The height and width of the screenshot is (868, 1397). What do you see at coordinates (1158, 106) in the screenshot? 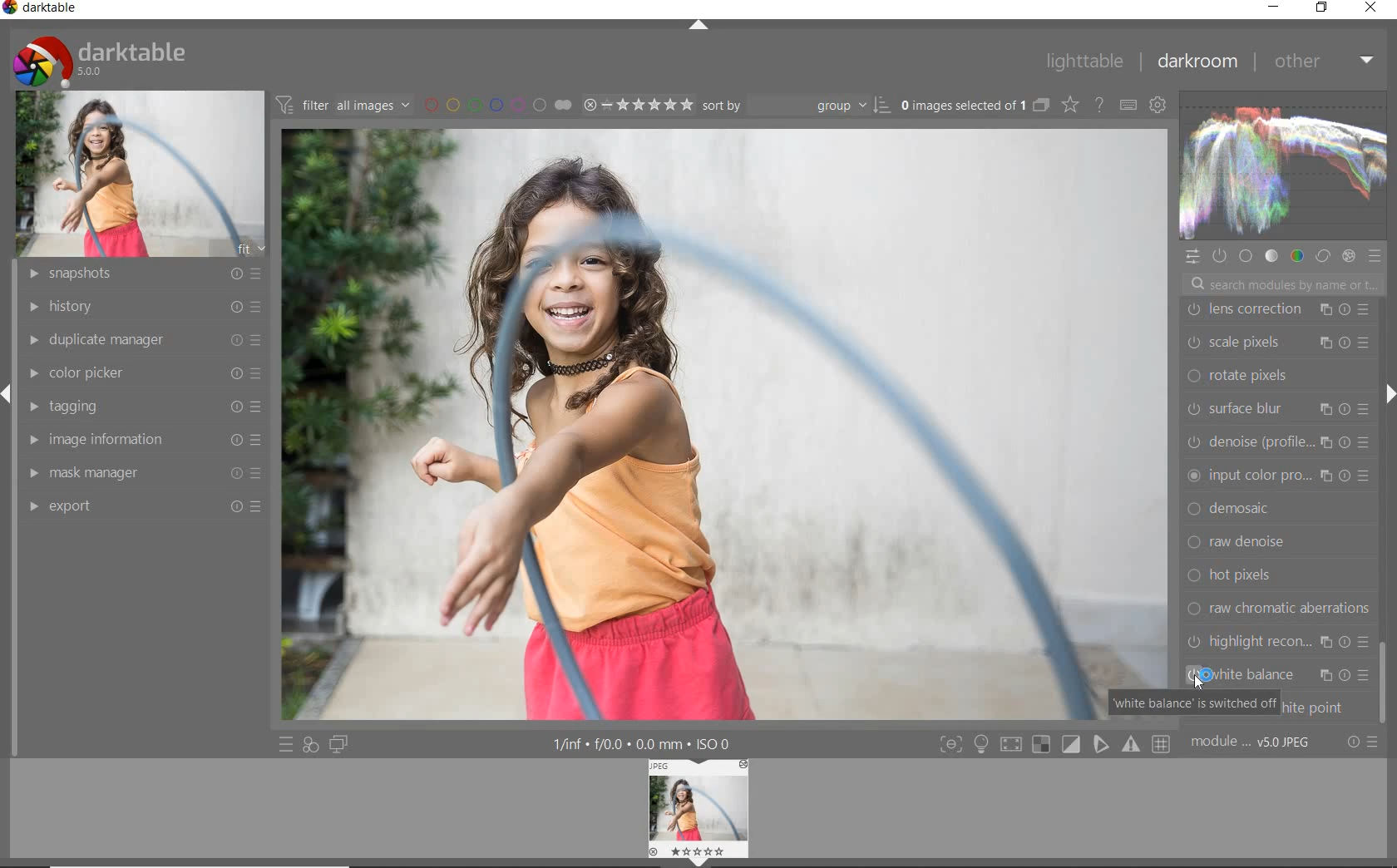
I see `show global preference` at bounding box center [1158, 106].